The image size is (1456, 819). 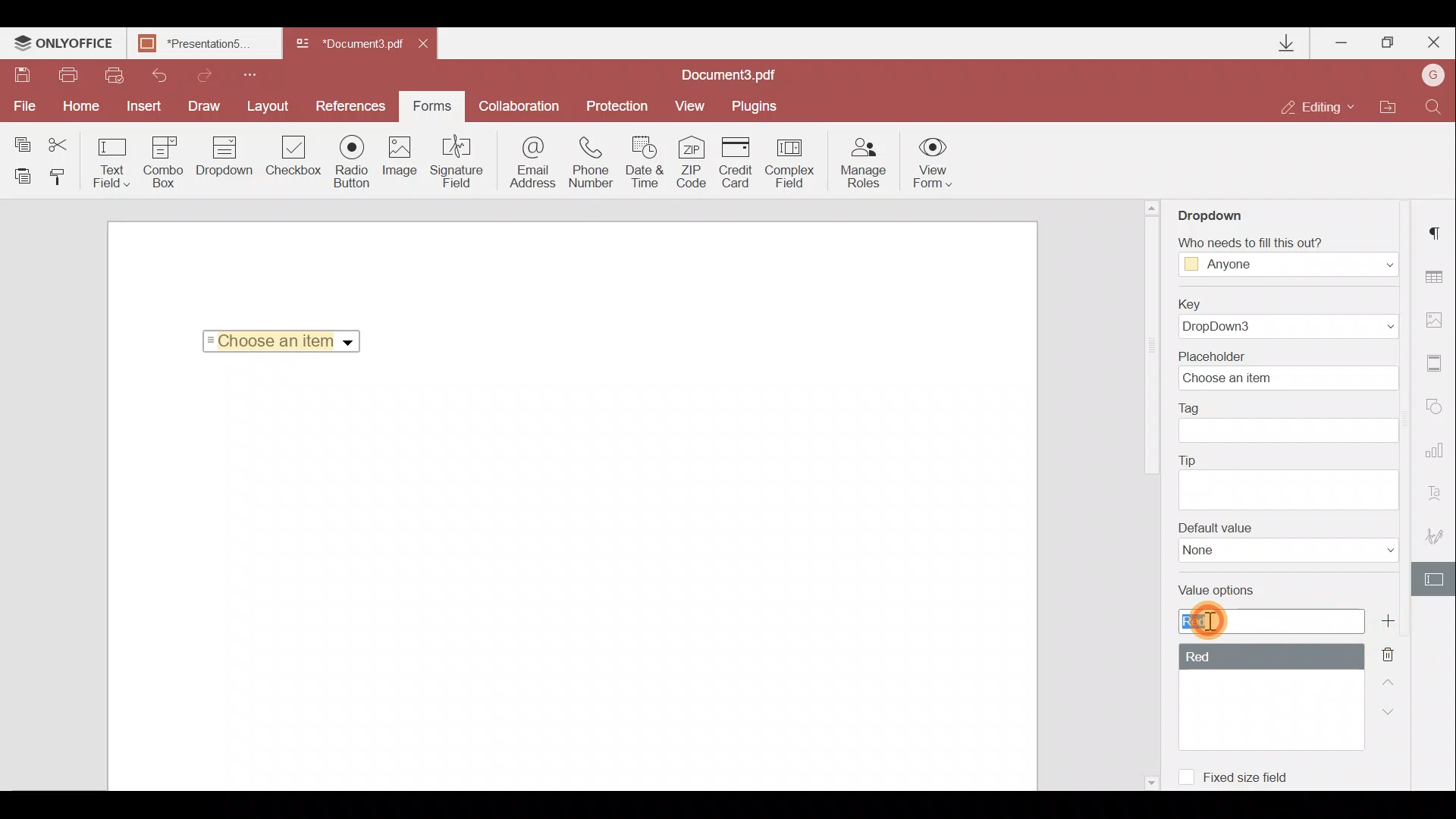 What do you see at coordinates (1319, 108) in the screenshot?
I see `Editing mode` at bounding box center [1319, 108].